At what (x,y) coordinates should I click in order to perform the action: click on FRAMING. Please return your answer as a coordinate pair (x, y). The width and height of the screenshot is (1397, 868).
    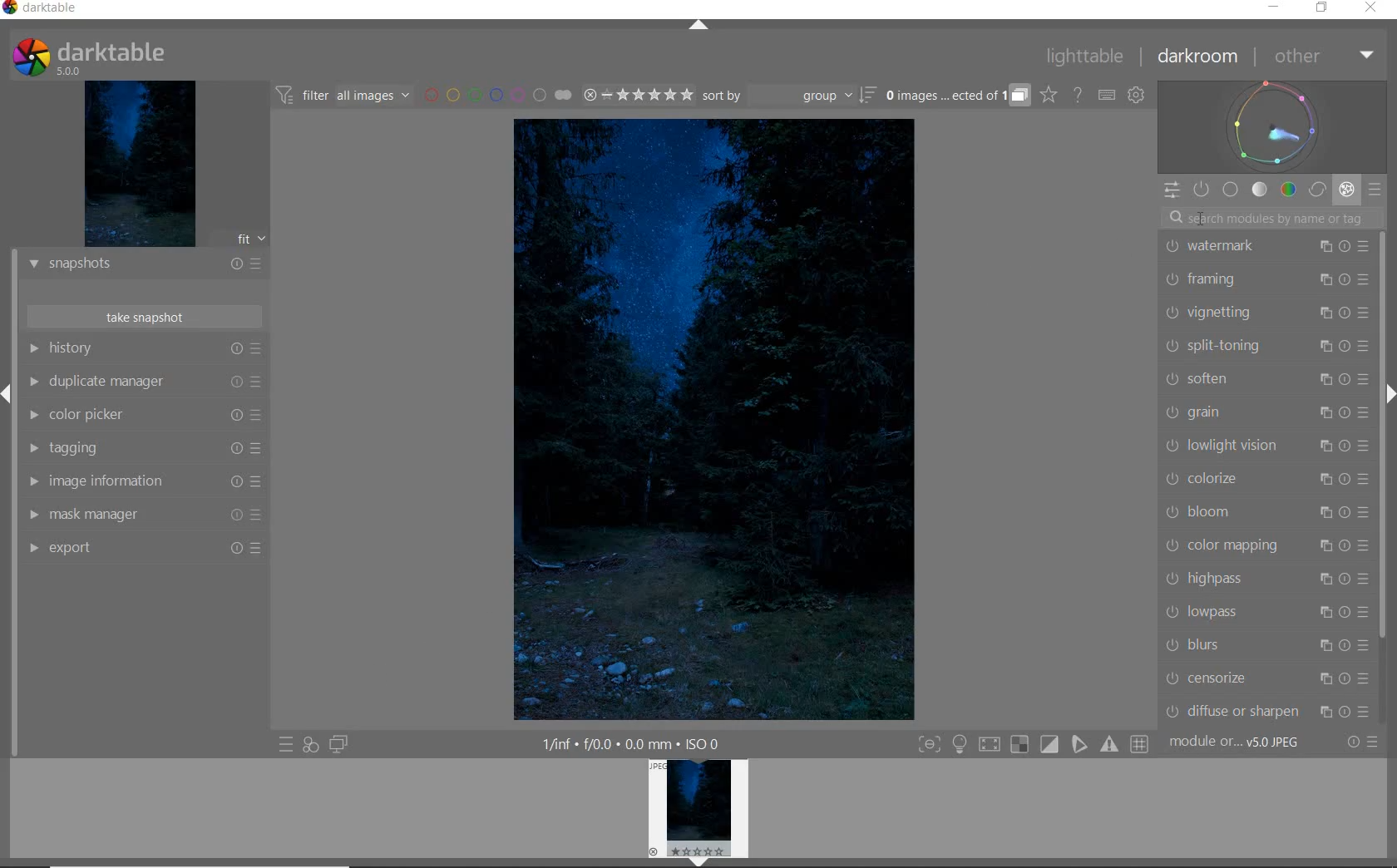
    Looking at the image, I should click on (1265, 282).